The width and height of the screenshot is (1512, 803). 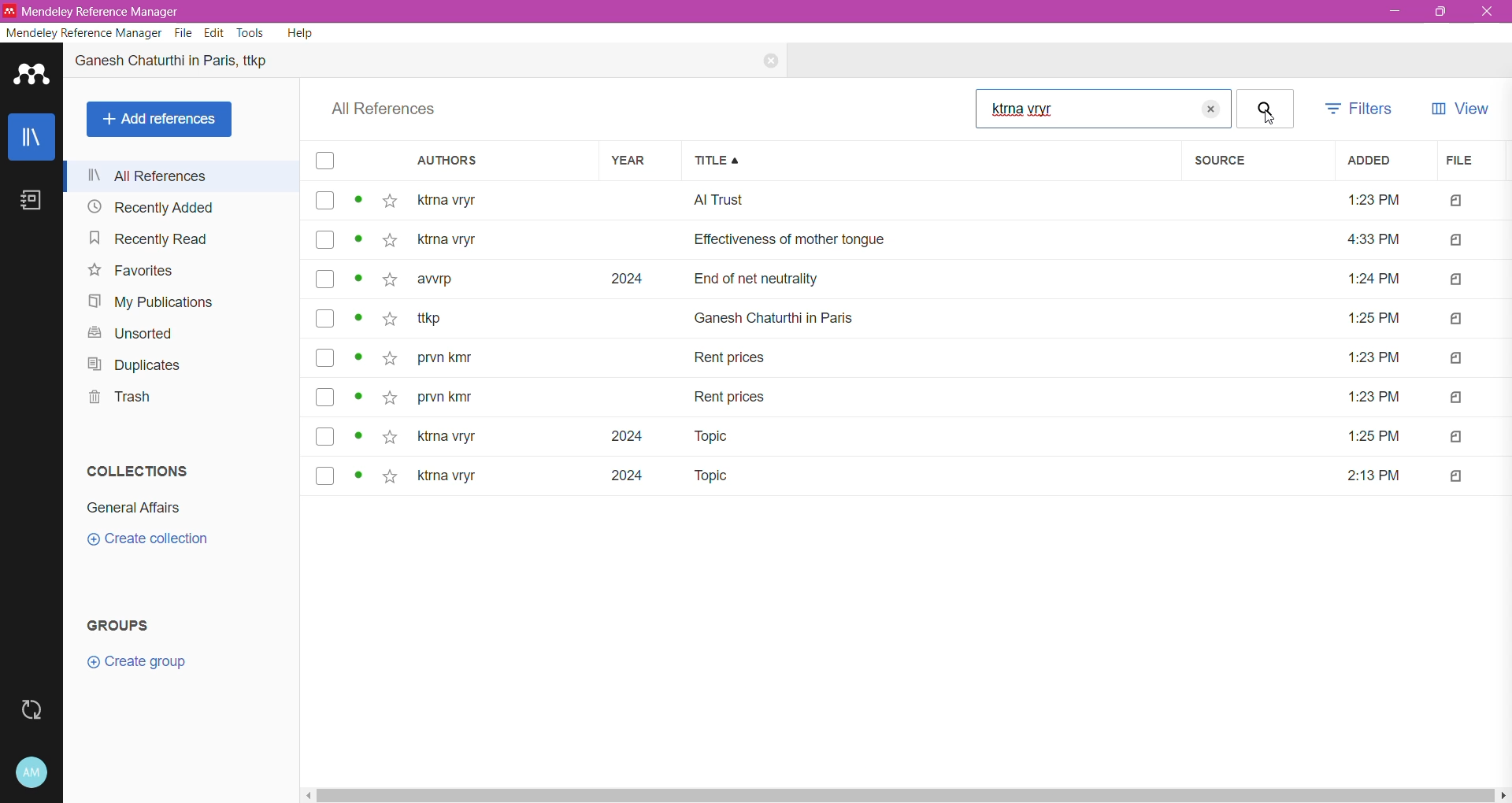 What do you see at coordinates (391, 359) in the screenshot?
I see `add to favorites` at bounding box center [391, 359].